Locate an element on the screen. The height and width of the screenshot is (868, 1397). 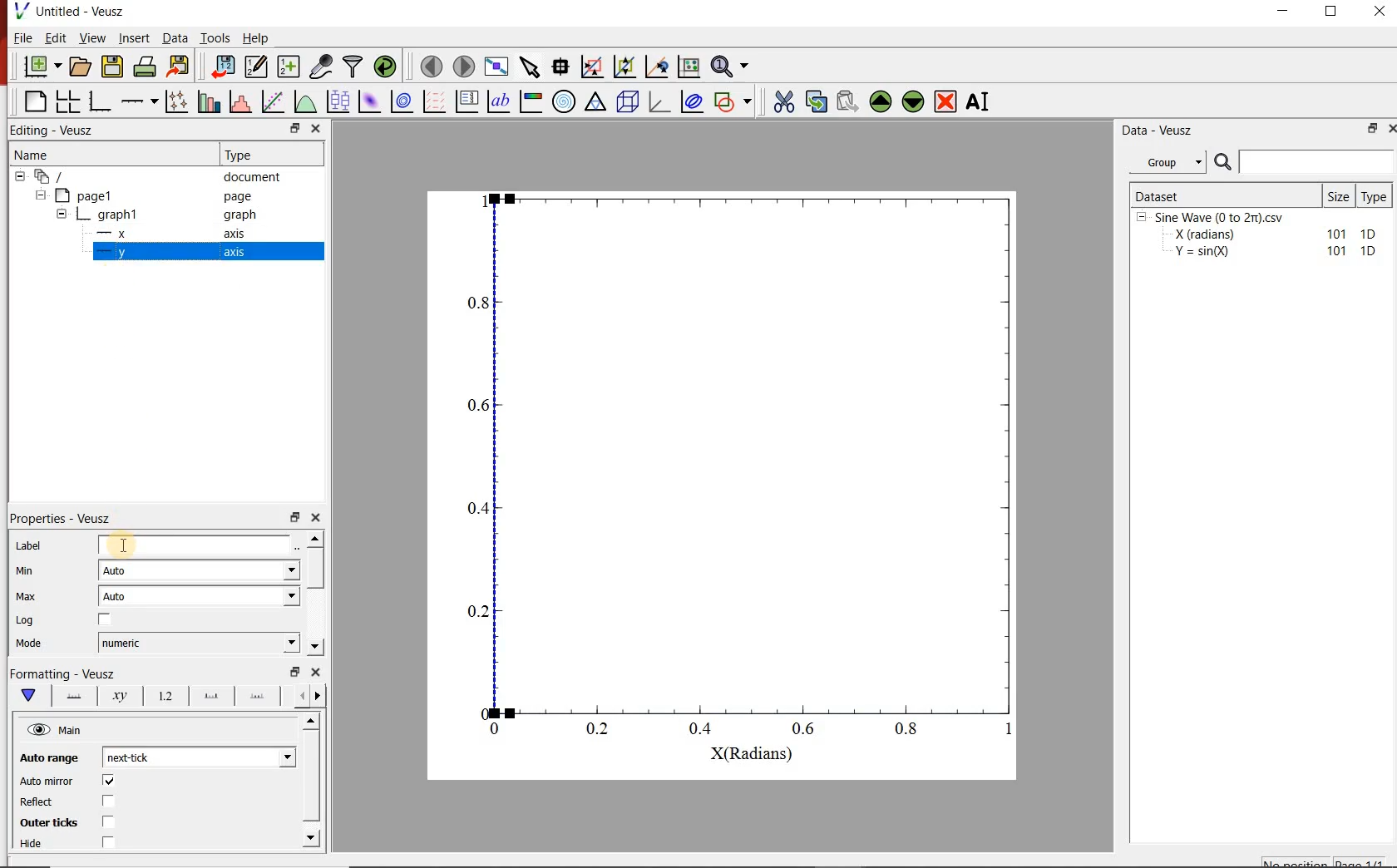
Close is located at coordinates (1381, 11).